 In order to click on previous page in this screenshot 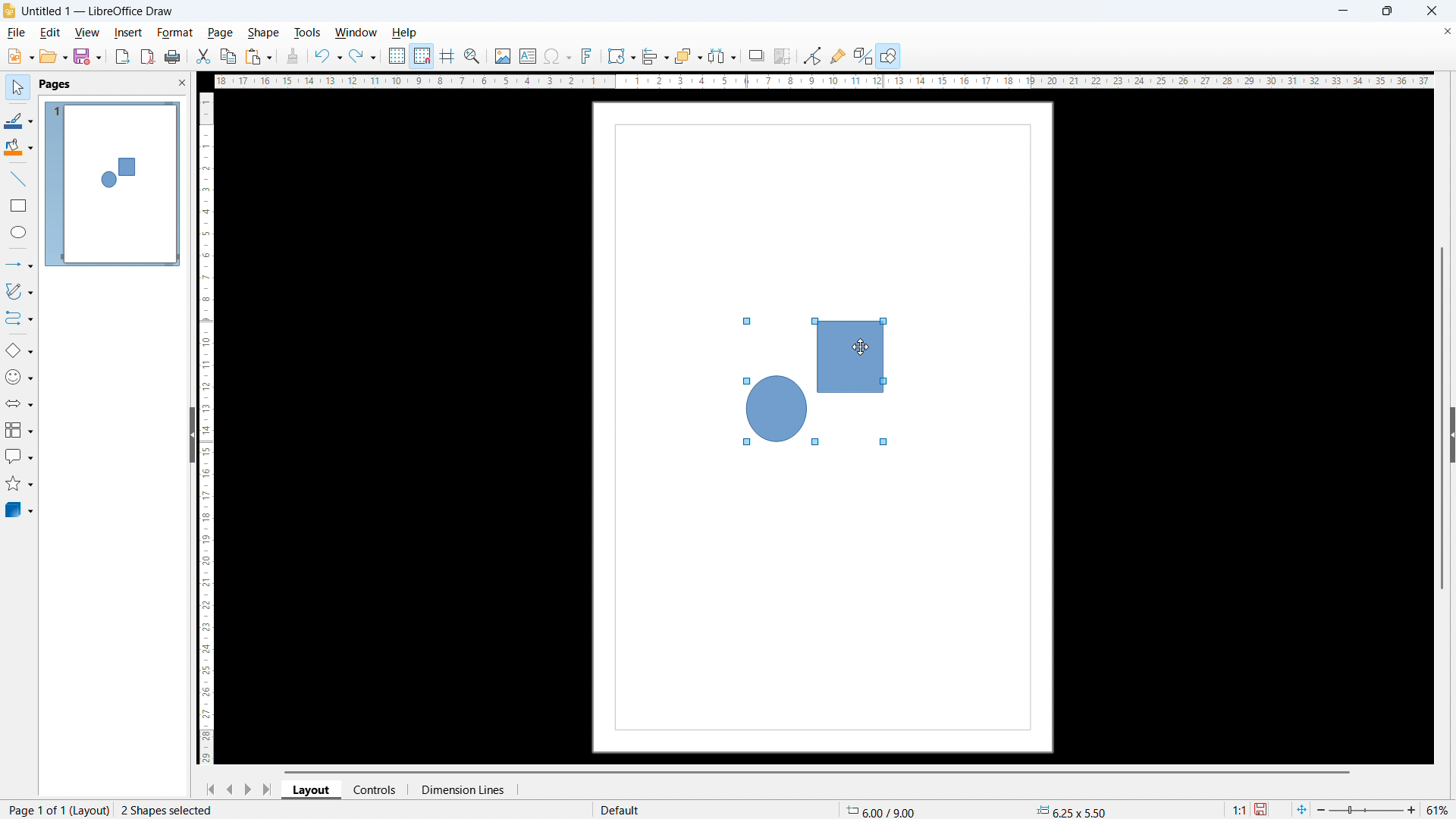, I will do `click(231, 789)`.